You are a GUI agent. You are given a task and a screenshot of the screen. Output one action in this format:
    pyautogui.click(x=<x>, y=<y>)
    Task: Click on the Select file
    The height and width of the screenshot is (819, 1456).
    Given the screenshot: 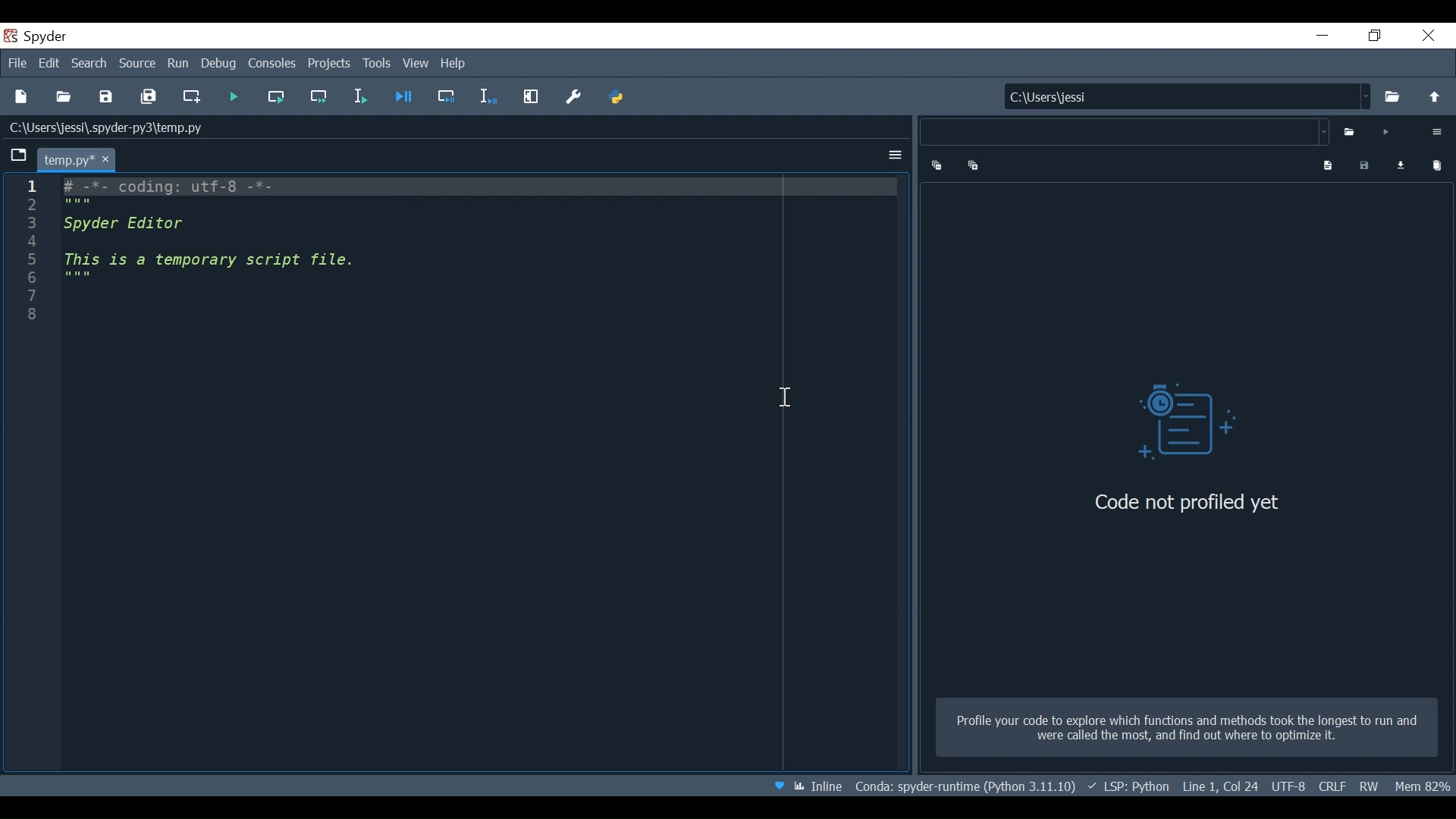 What is the action you would take?
    pyautogui.click(x=1349, y=133)
    